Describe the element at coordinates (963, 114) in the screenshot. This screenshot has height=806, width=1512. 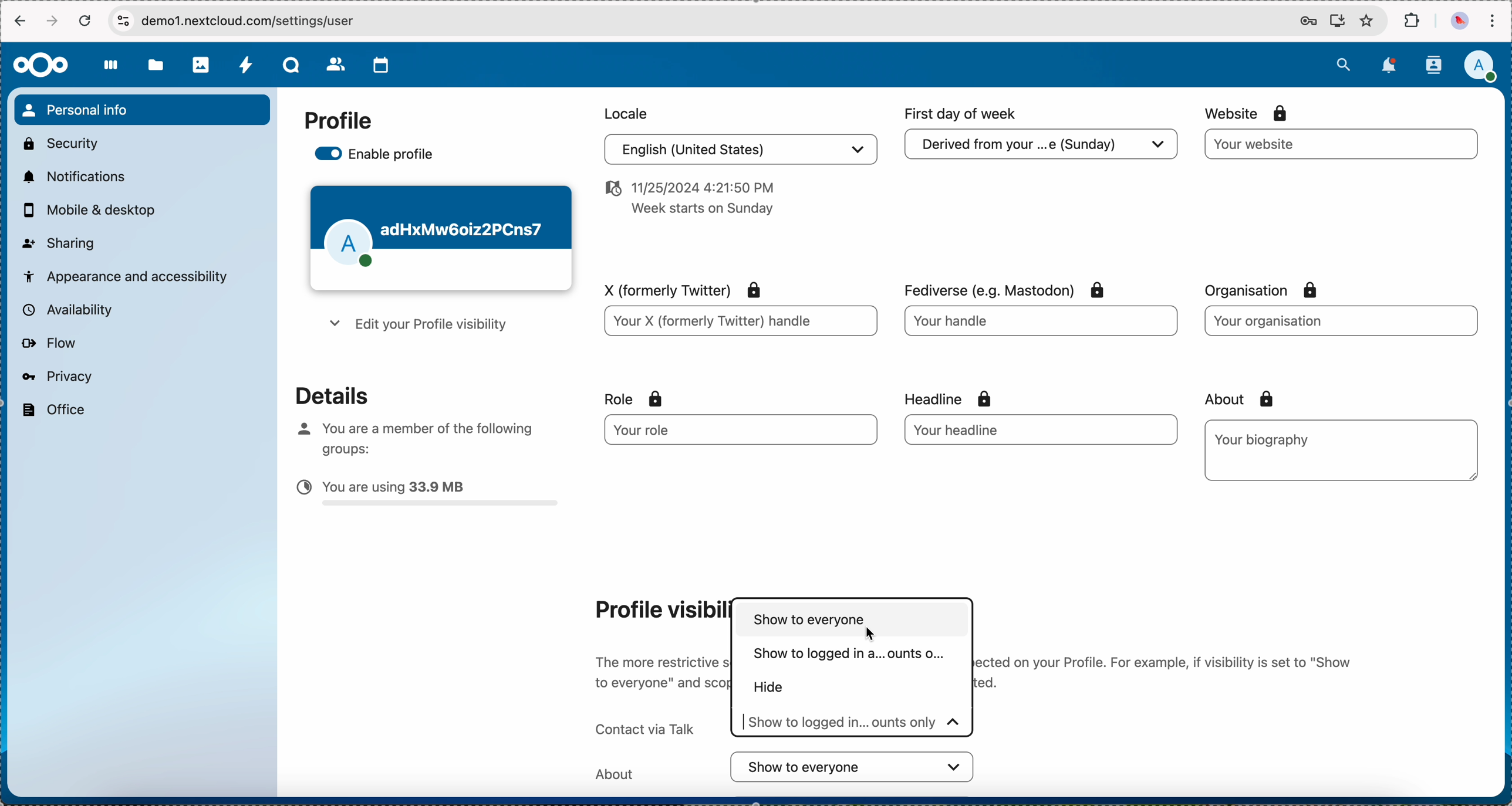
I see `first day of week` at that location.